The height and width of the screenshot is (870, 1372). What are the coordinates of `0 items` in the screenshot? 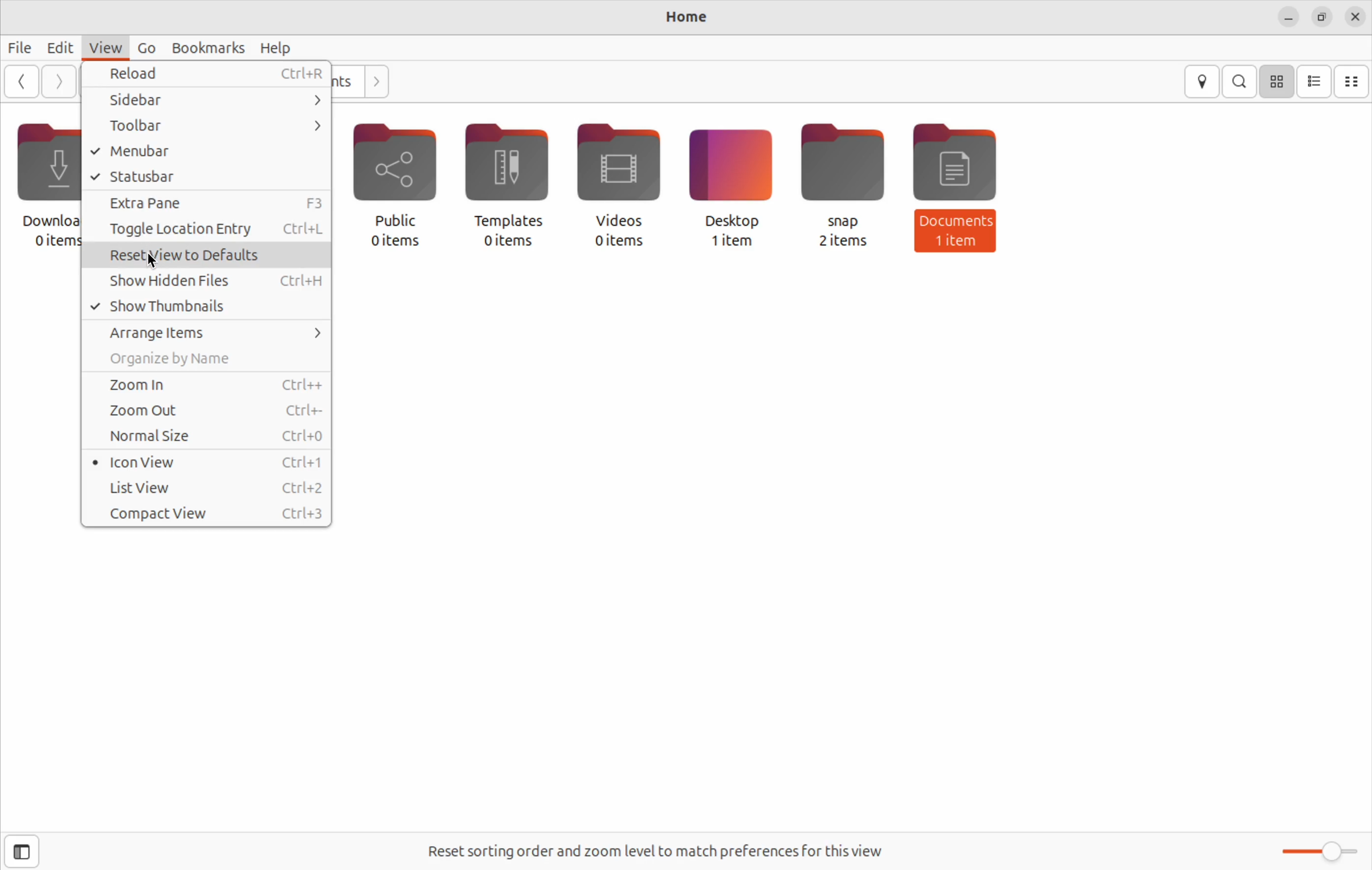 It's located at (507, 243).